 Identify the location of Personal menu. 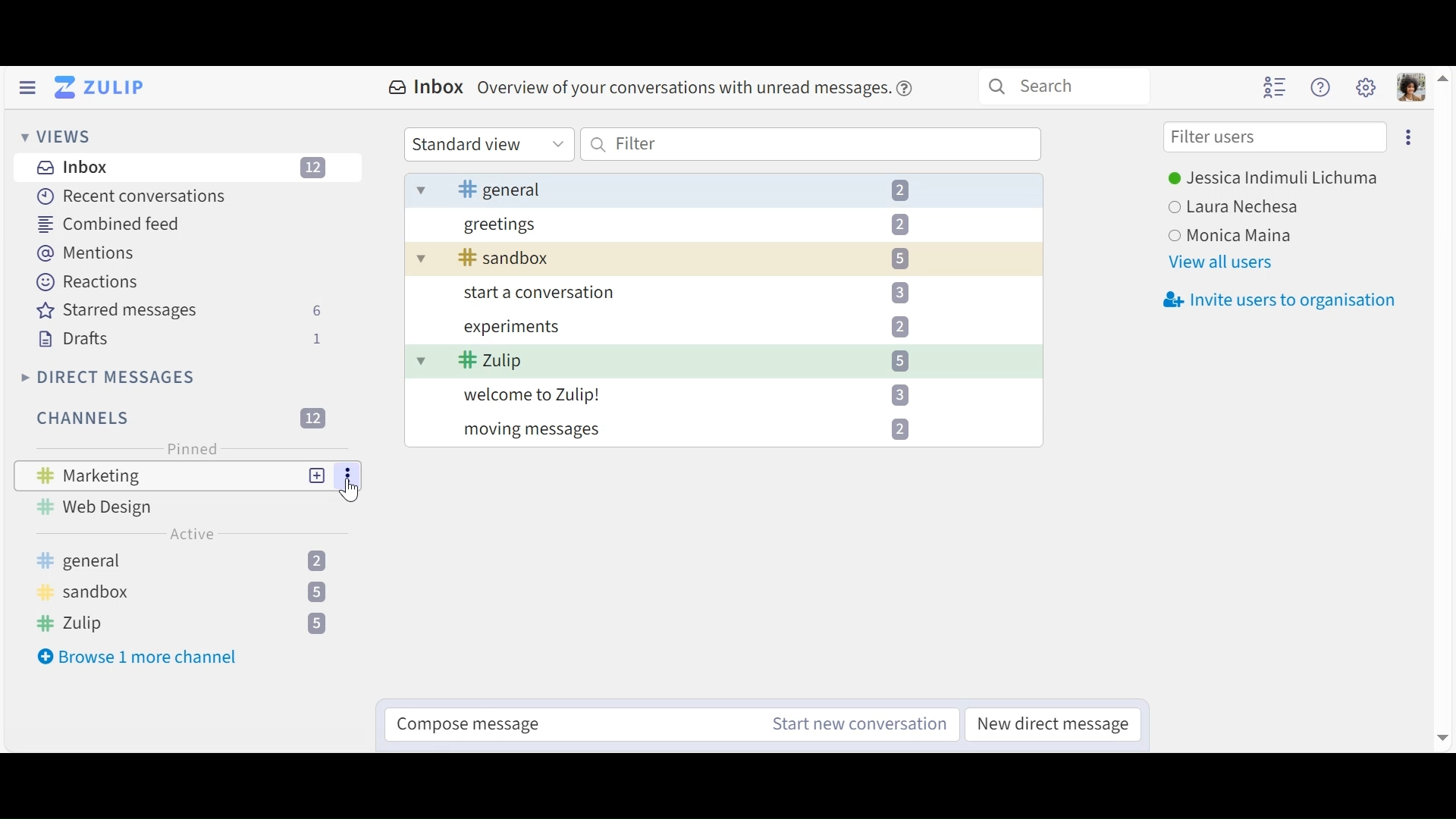
(1413, 89).